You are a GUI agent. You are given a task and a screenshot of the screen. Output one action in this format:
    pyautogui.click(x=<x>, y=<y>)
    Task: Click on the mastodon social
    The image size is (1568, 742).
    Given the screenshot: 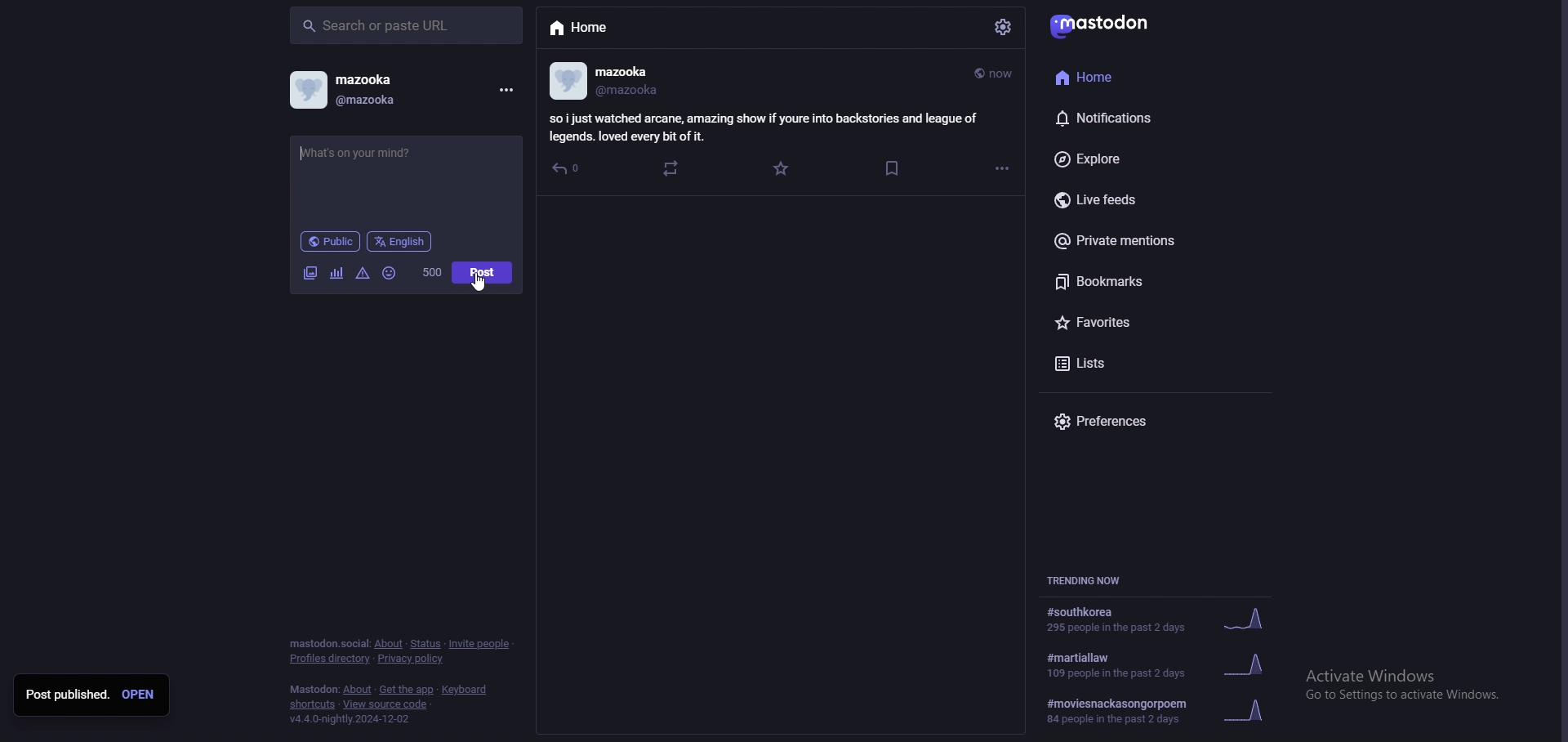 What is the action you would take?
    pyautogui.click(x=327, y=643)
    